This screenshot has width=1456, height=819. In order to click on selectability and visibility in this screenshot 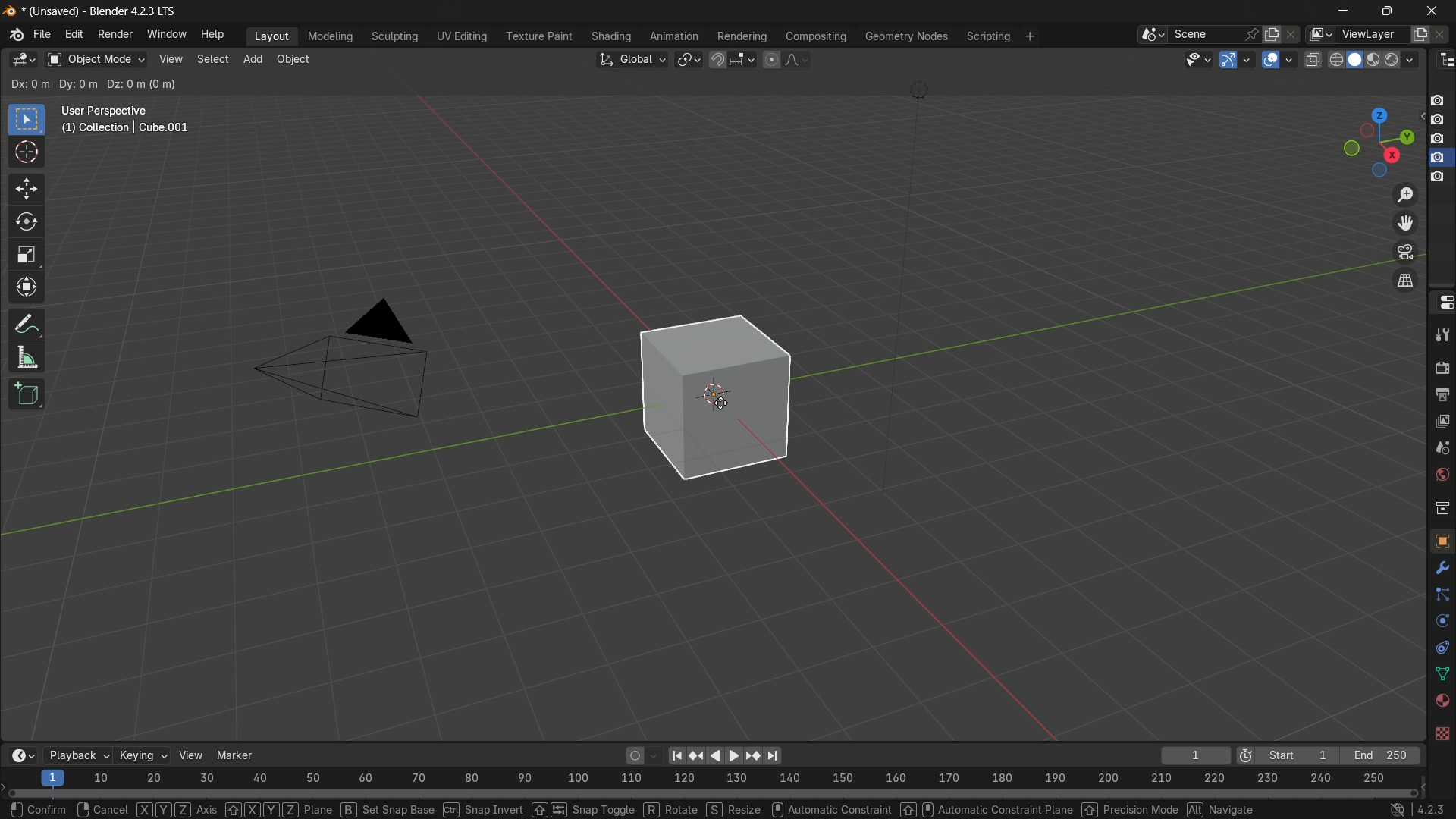, I will do `click(1198, 60)`.